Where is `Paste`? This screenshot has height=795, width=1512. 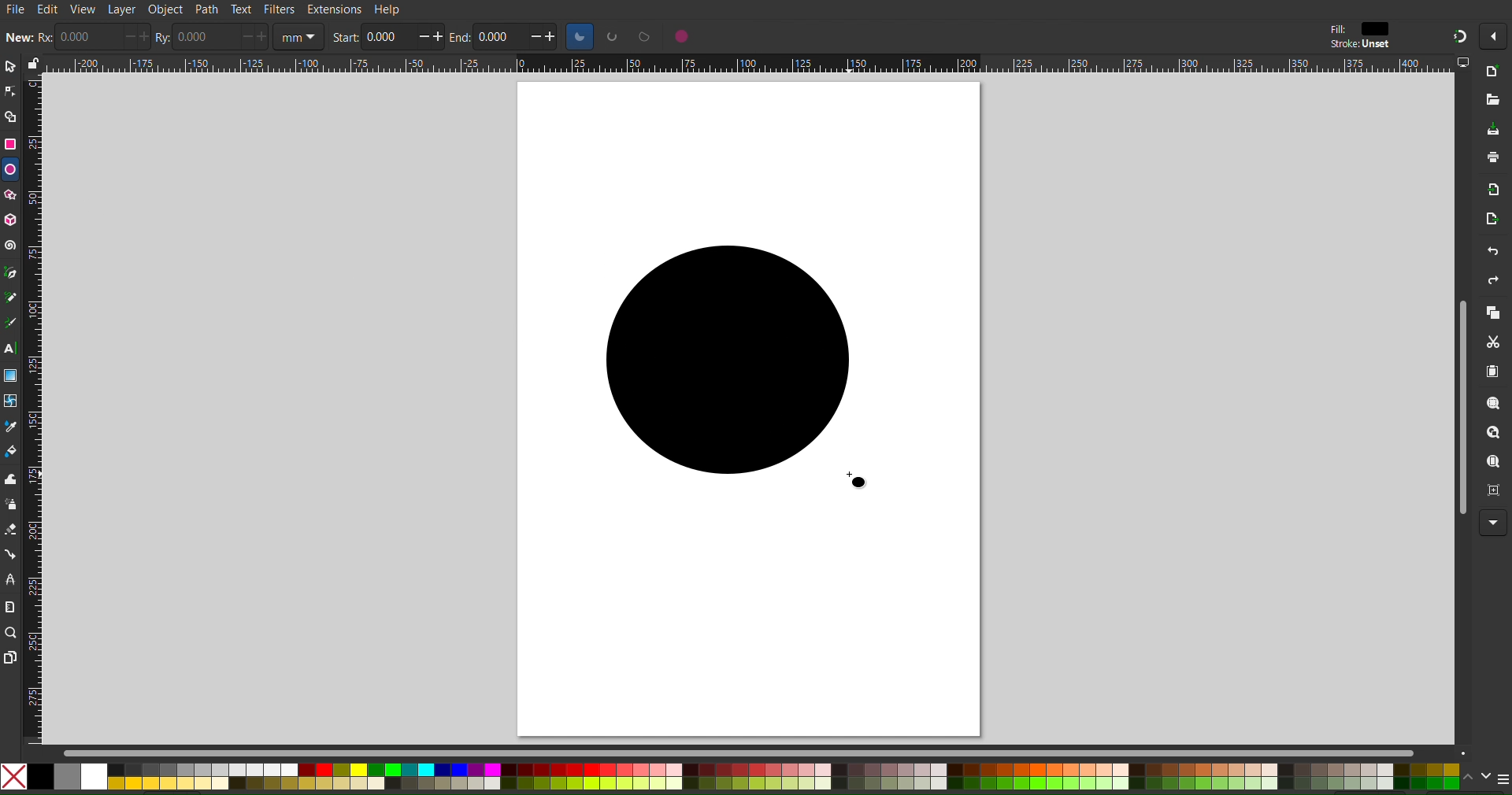
Paste is located at coordinates (1494, 372).